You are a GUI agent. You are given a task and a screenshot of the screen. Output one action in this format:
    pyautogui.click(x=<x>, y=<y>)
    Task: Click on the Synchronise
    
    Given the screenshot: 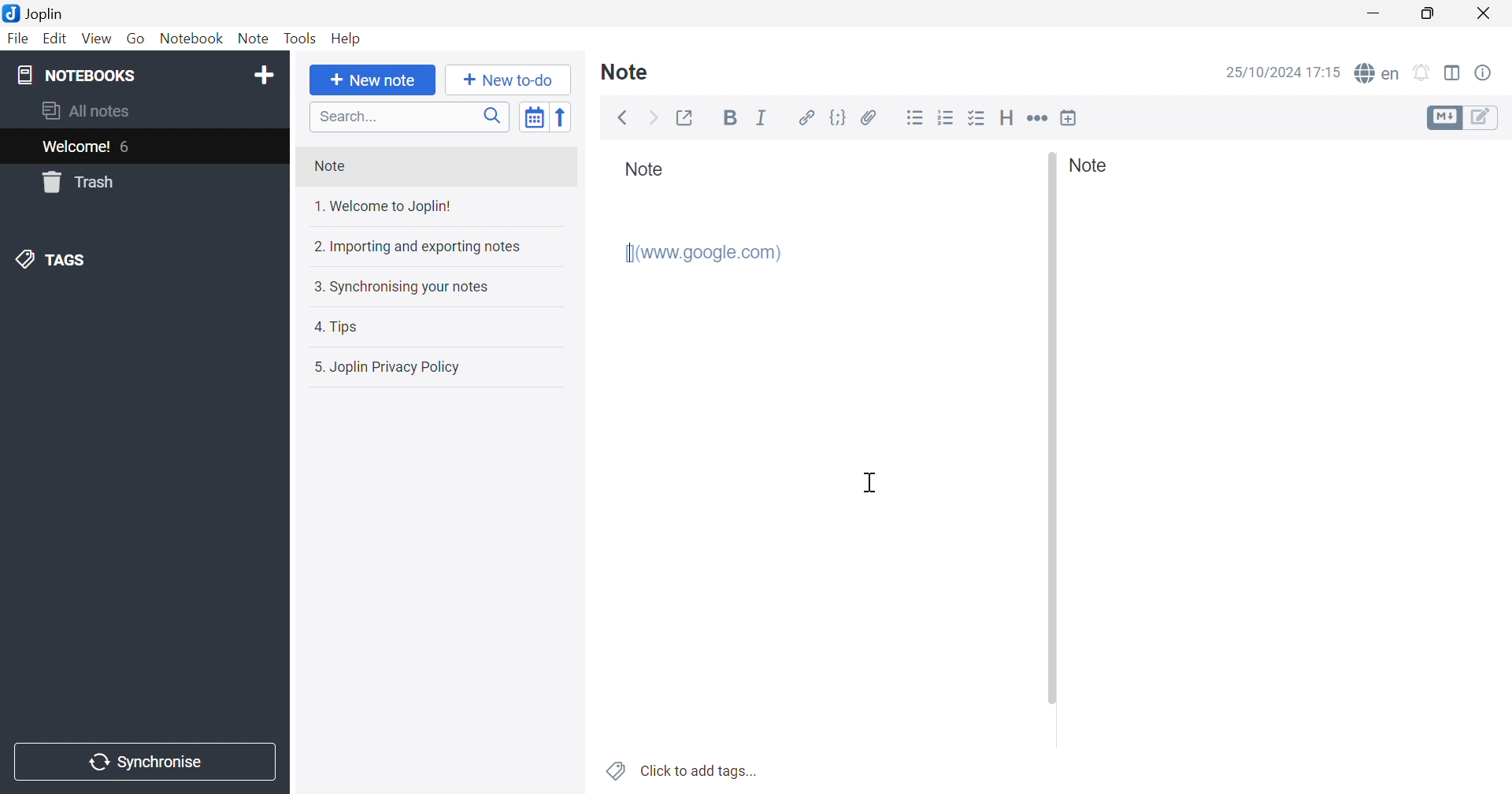 What is the action you would take?
    pyautogui.click(x=145, y=762)
    